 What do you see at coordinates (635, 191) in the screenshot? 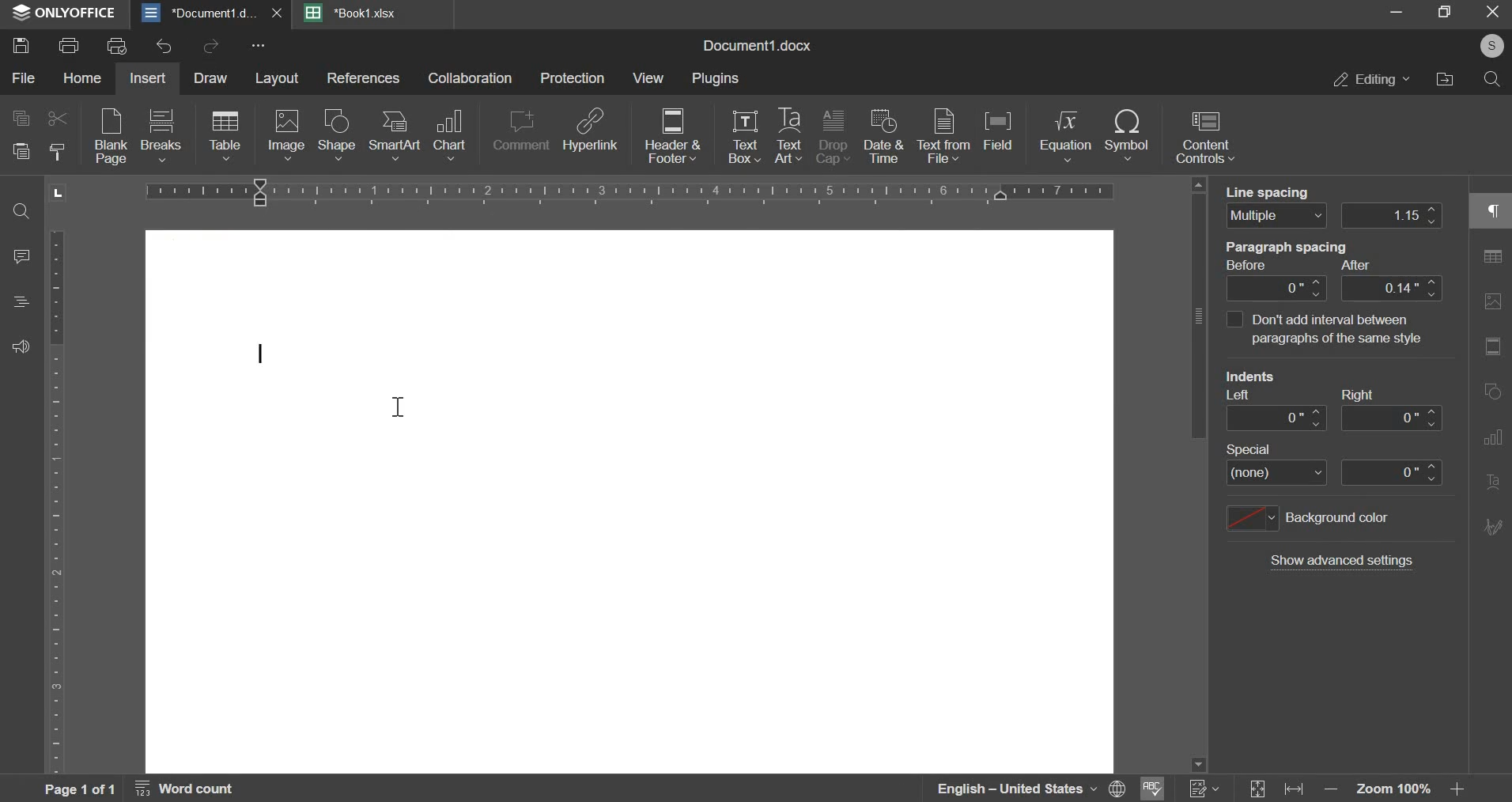
I see `horizontal scale` at bounding box center [635, 191].